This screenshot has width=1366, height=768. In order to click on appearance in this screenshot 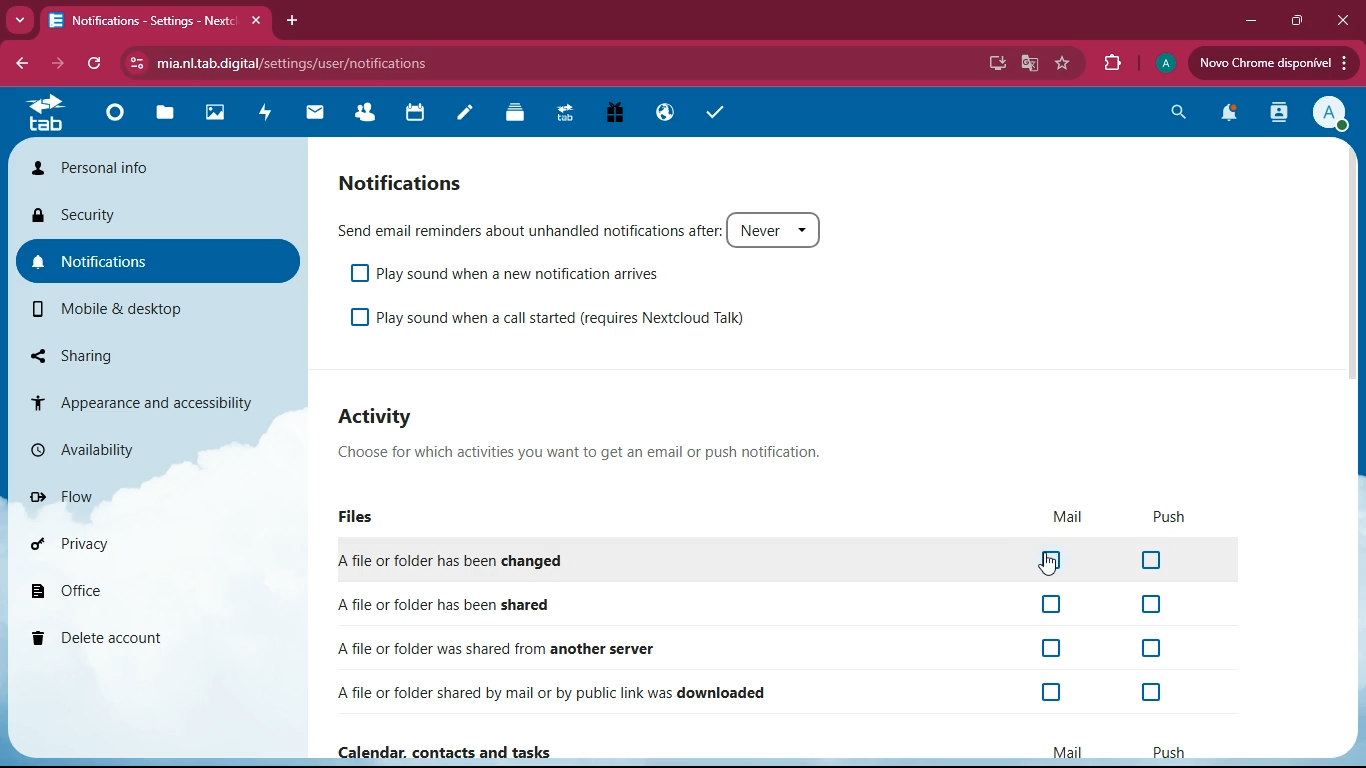, I will do `click(137, 399)`.